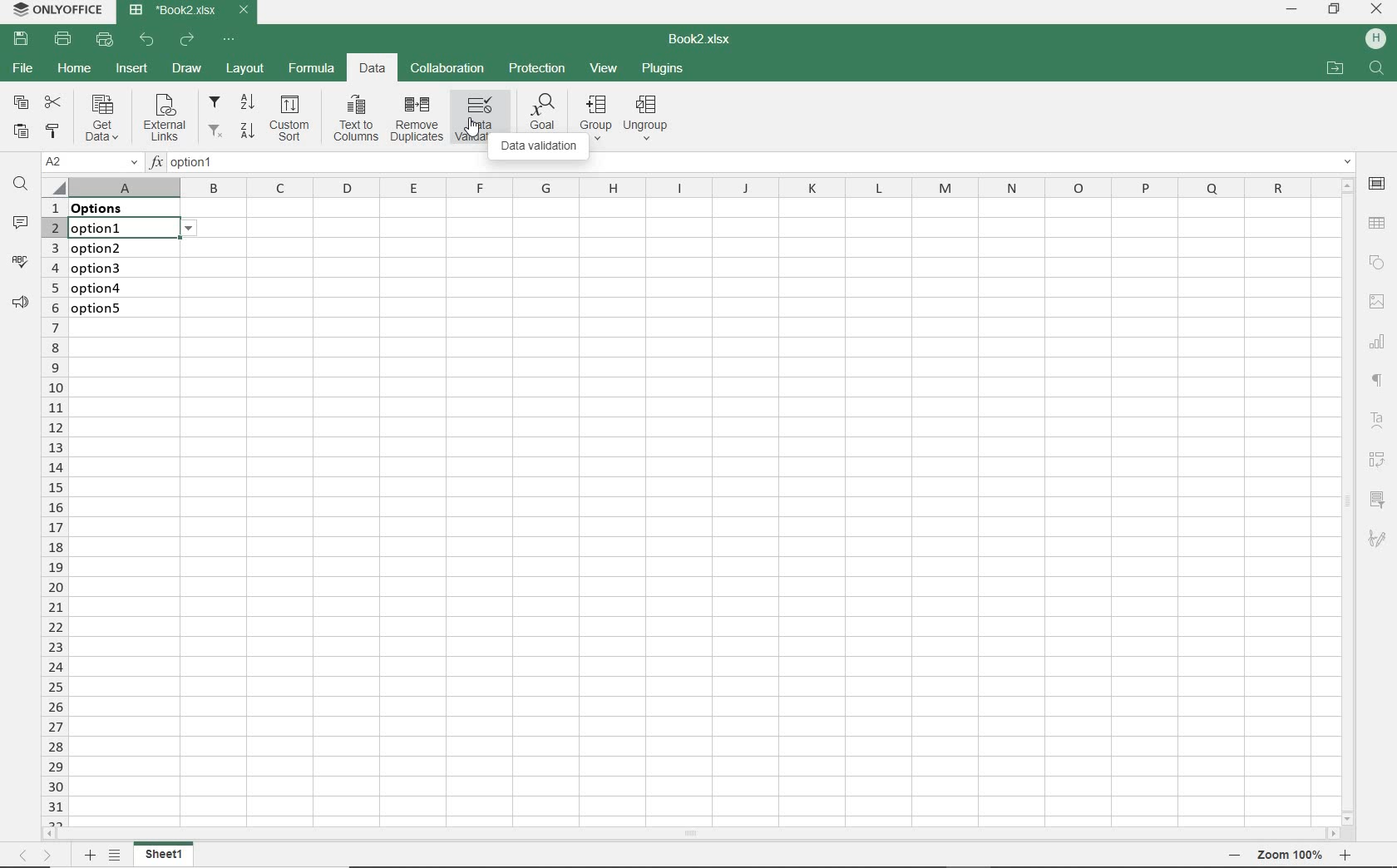  Describe the element at coordinates (74, 72) in the screenshot. I see `HOME` at that location.